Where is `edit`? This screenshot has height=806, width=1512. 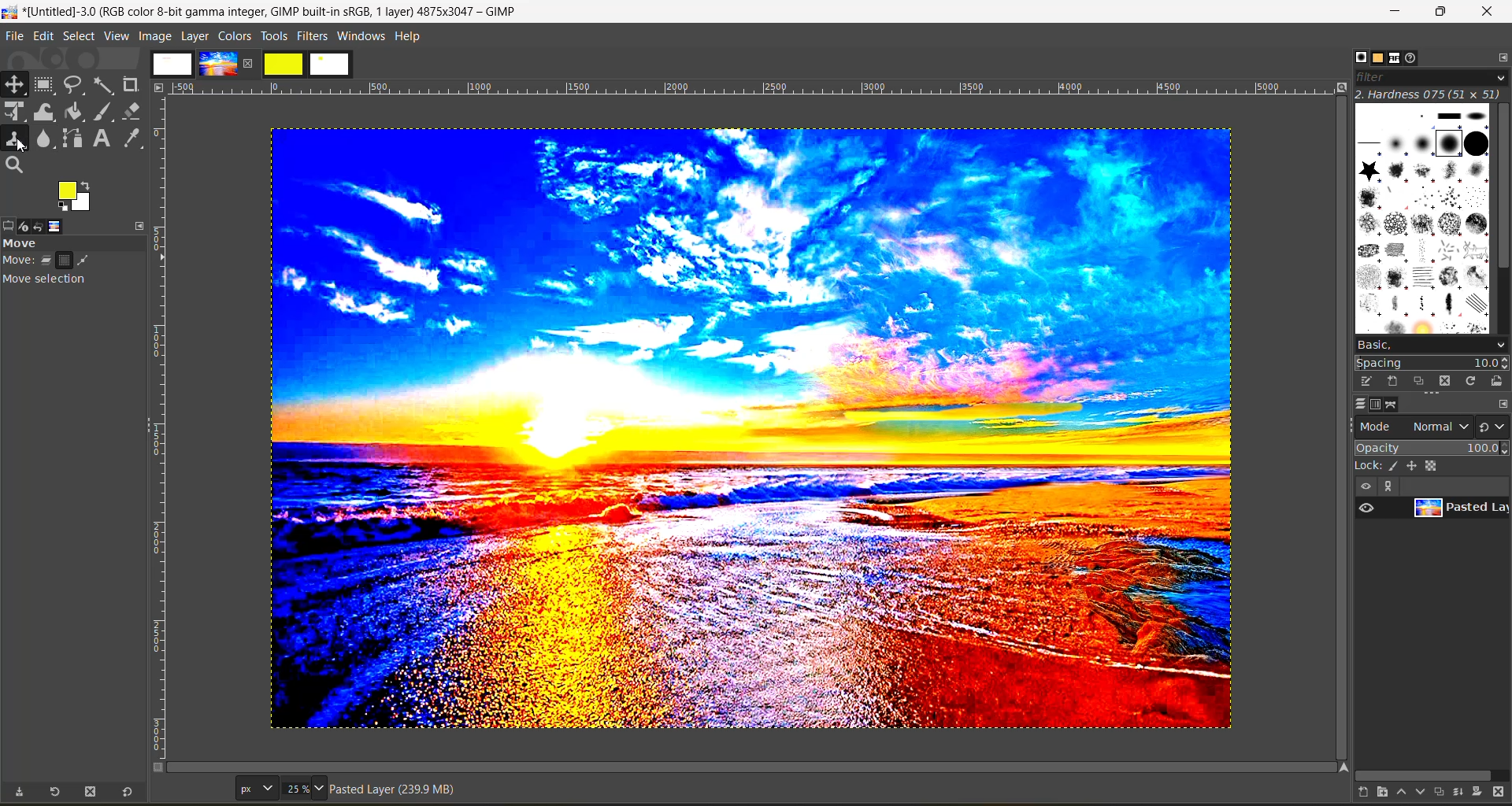
edit is located at coordinates (43, 35).